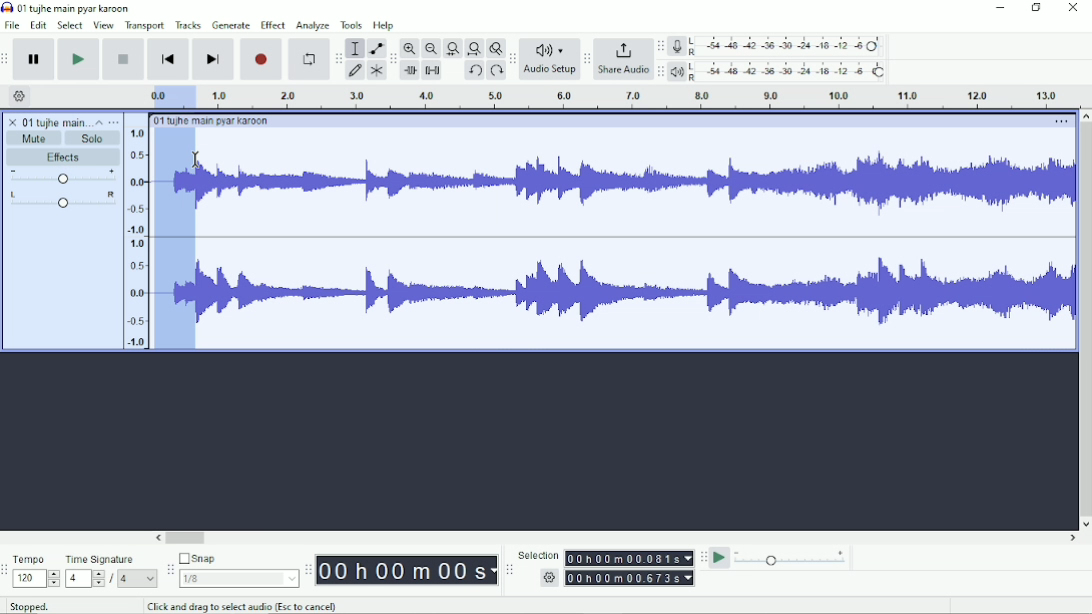 Image resolution: width=1092 pixels, height=614 pixels. Describe the element at coordinates (1084, 320) in the screenshot. I see `Vertical scrollbar` at that location.